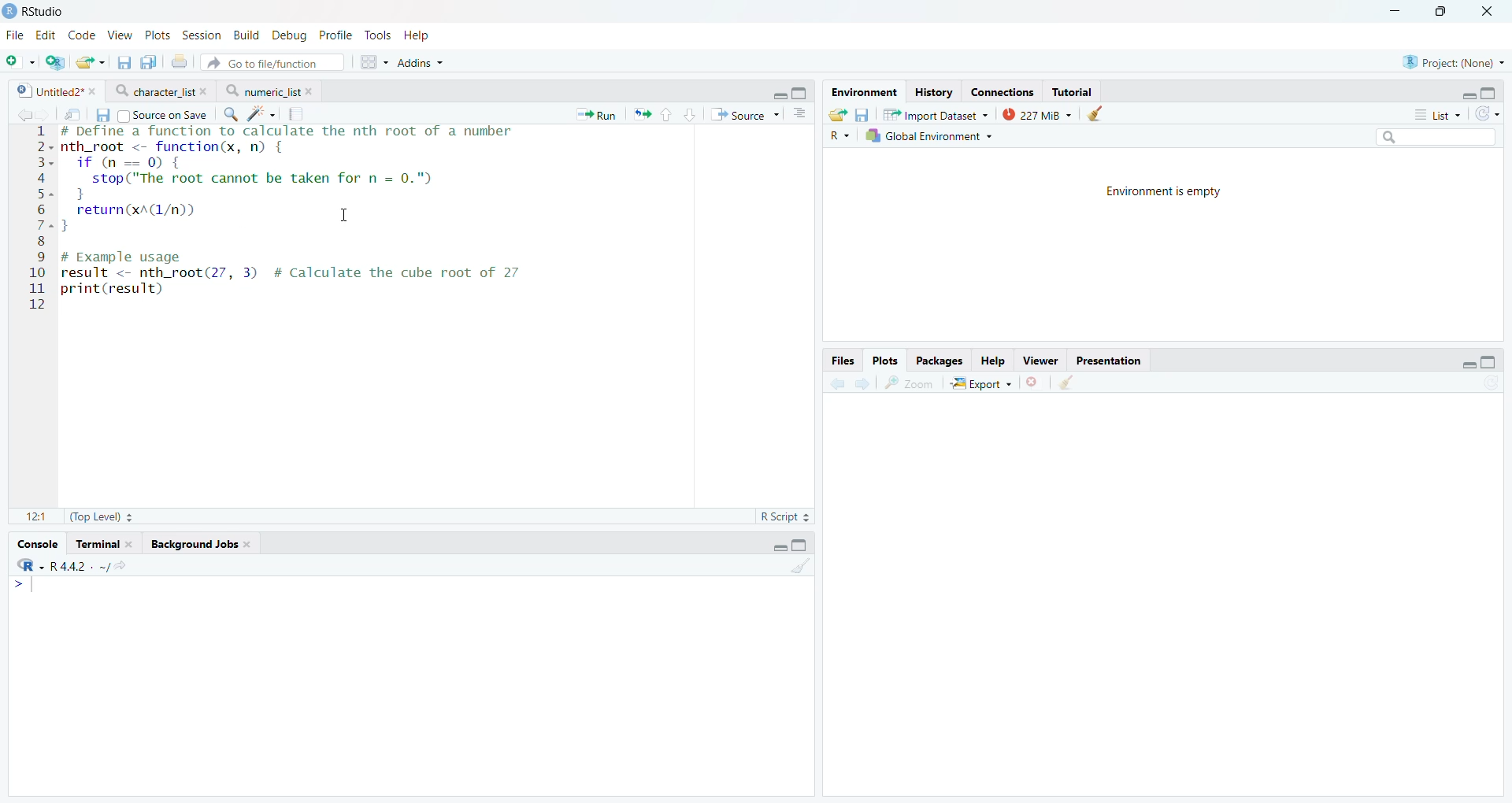 This screenshot has height=803, width=1512. I want to click on Hide, so click(1468, 94).